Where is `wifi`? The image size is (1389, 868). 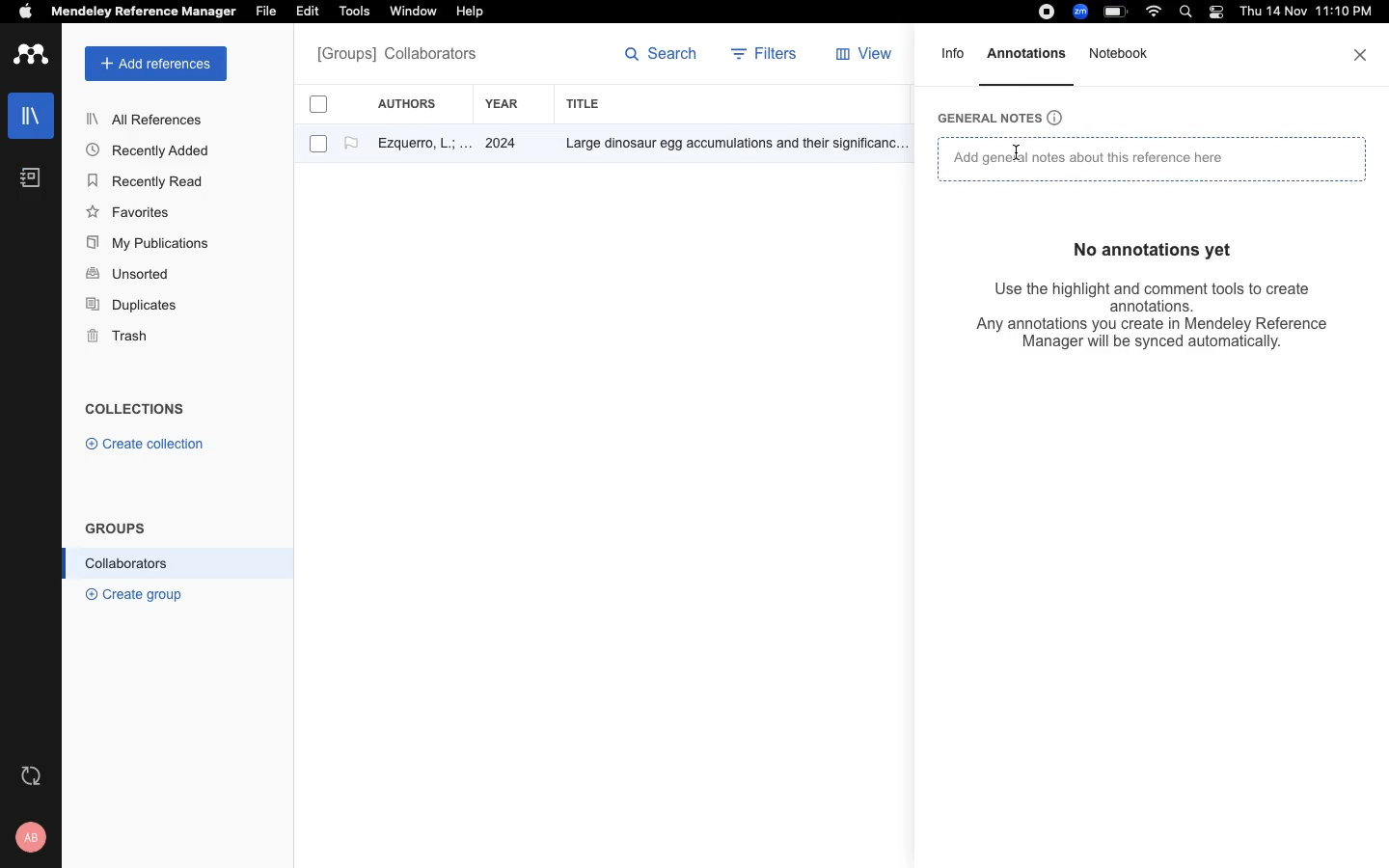 wifi is located at coordinates (1157, 12).